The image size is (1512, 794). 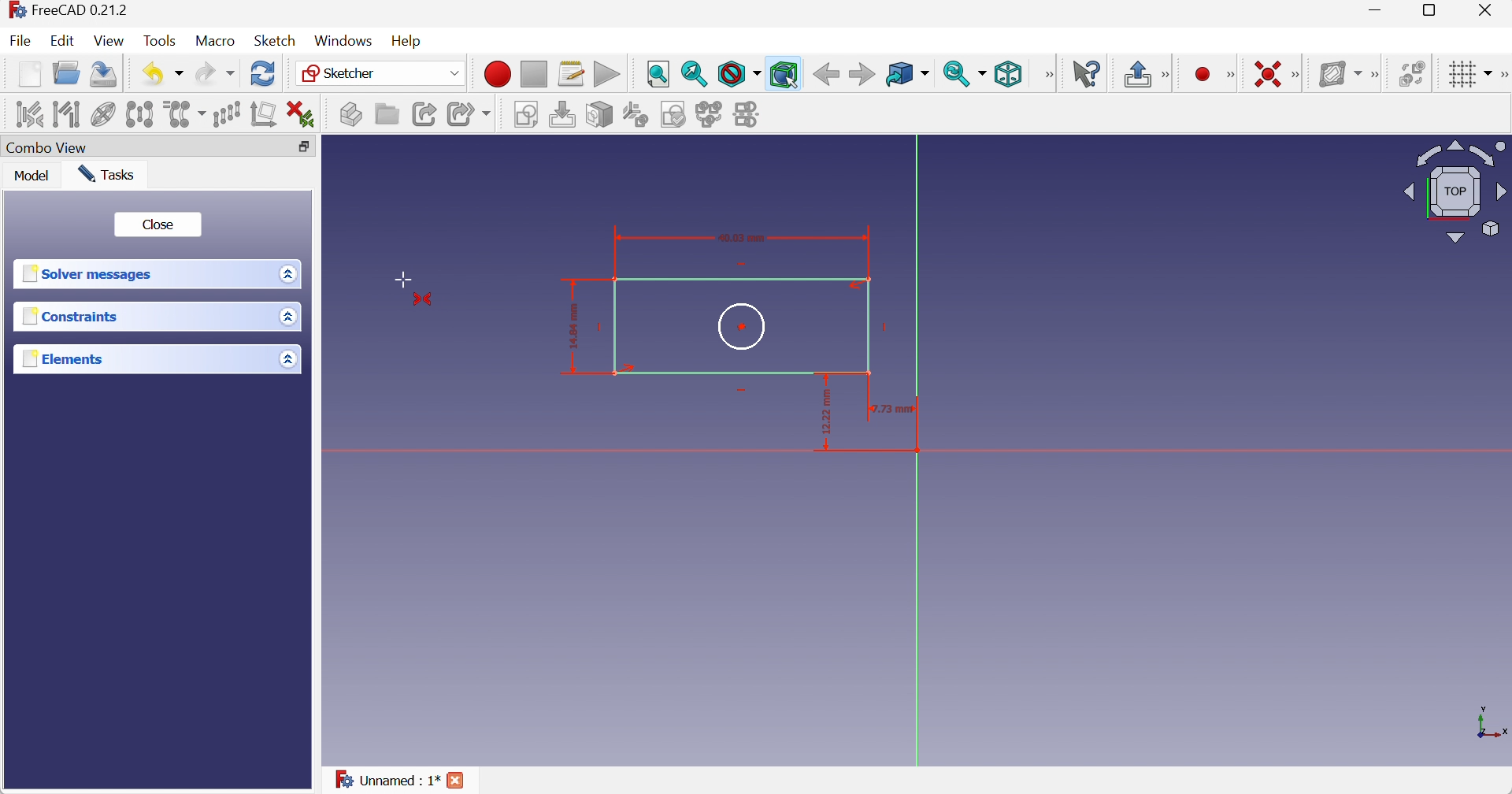 What do you see at coordinates (425, 114) in the screenshot?
I see `Make link` at bounding box center [425, 114].